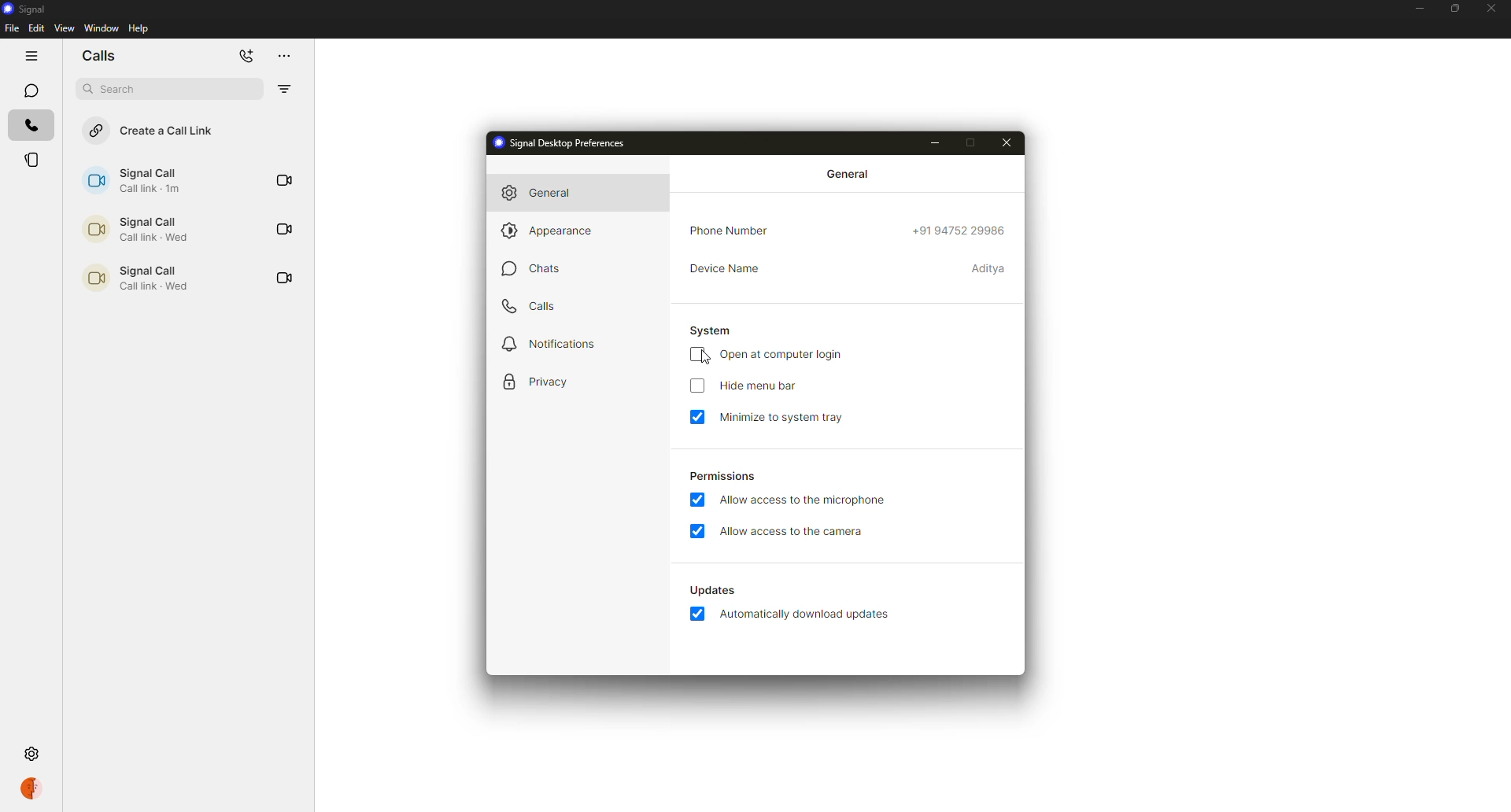 The width and height of the screenshot is (1511, 812). I want to click on system, so click(715, 330).